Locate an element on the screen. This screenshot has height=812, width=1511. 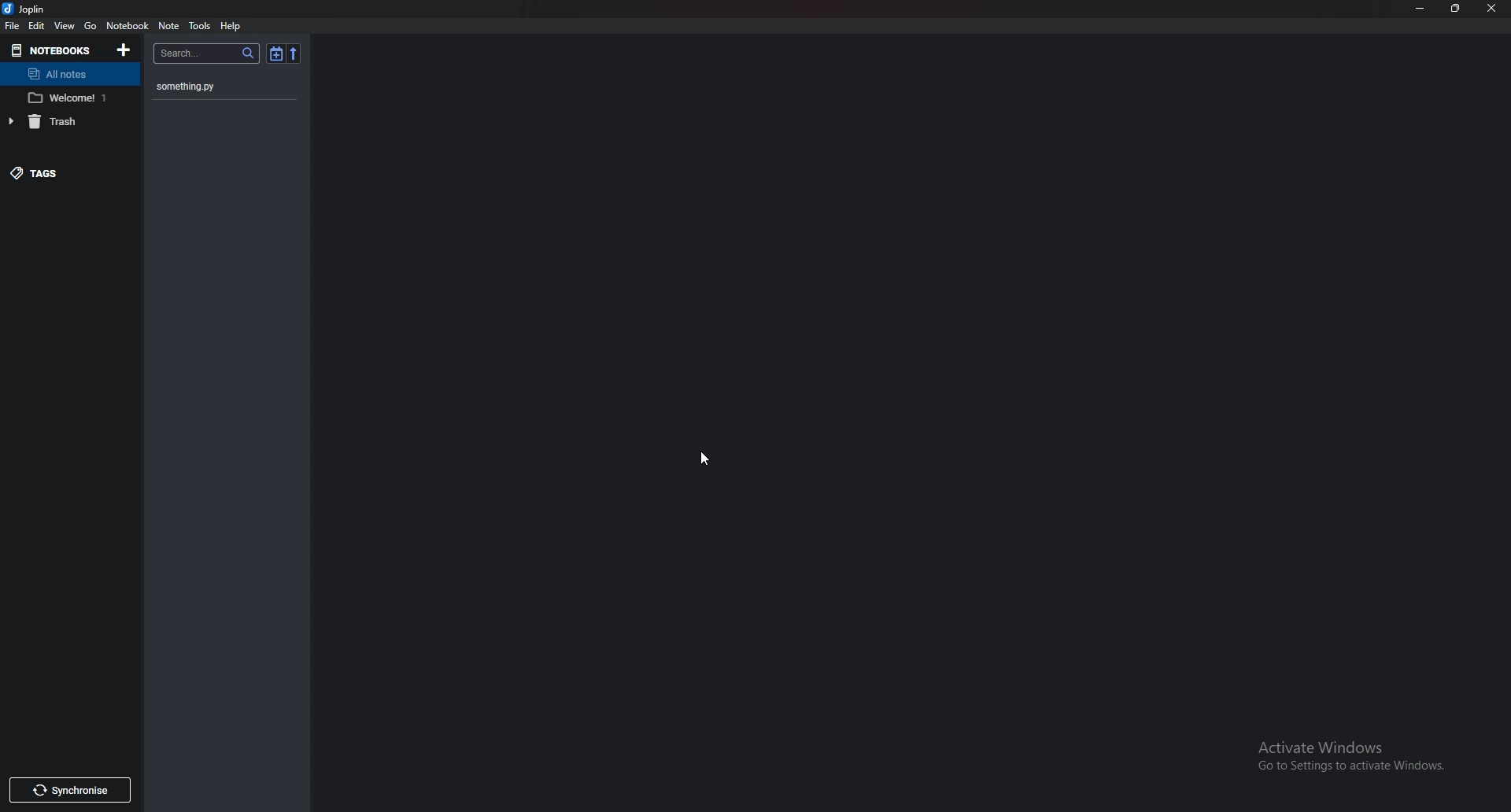
Trash is located at coordinates (56, 124).